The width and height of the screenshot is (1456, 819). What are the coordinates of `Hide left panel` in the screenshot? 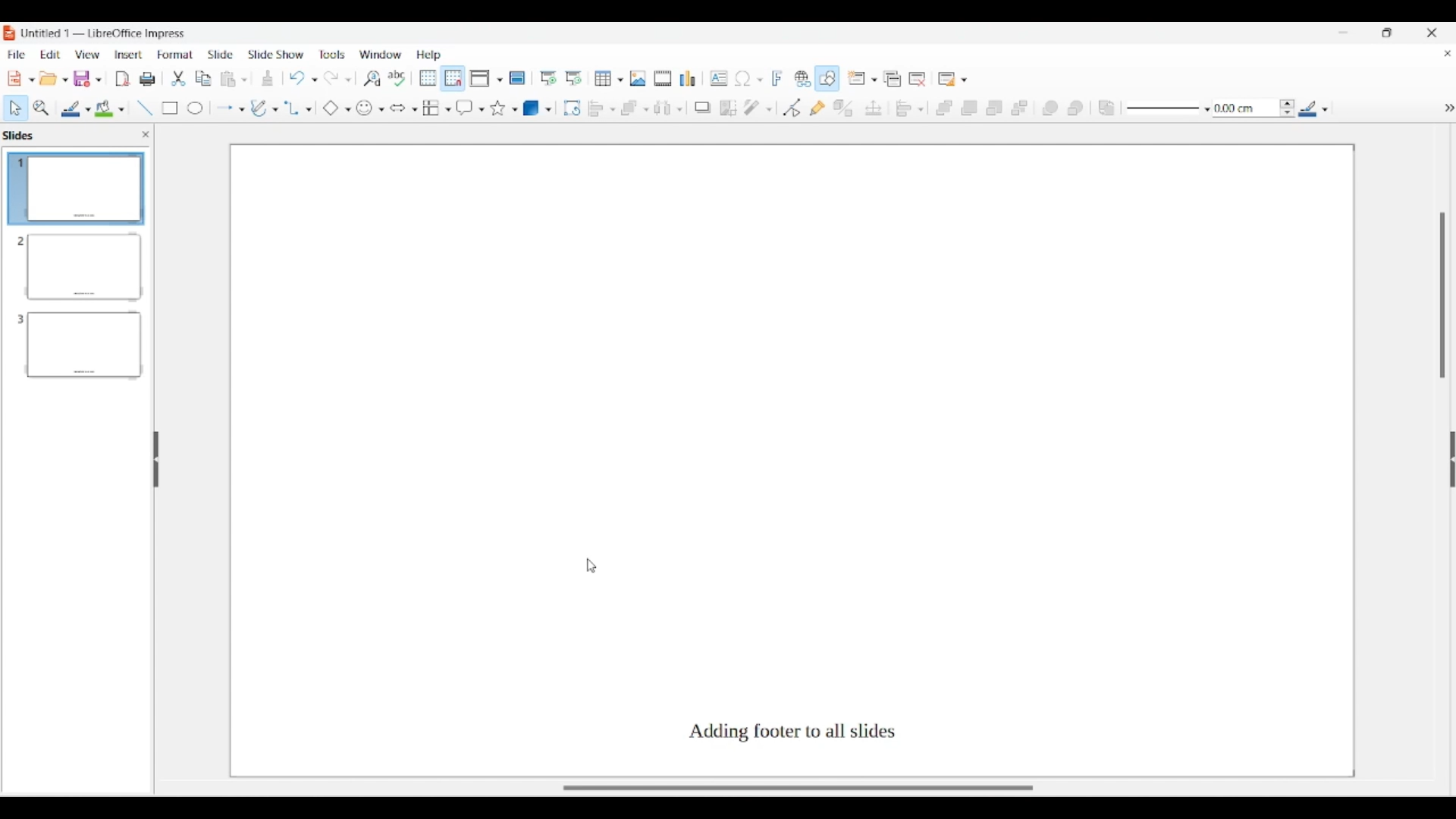 It's located at (156, 460).